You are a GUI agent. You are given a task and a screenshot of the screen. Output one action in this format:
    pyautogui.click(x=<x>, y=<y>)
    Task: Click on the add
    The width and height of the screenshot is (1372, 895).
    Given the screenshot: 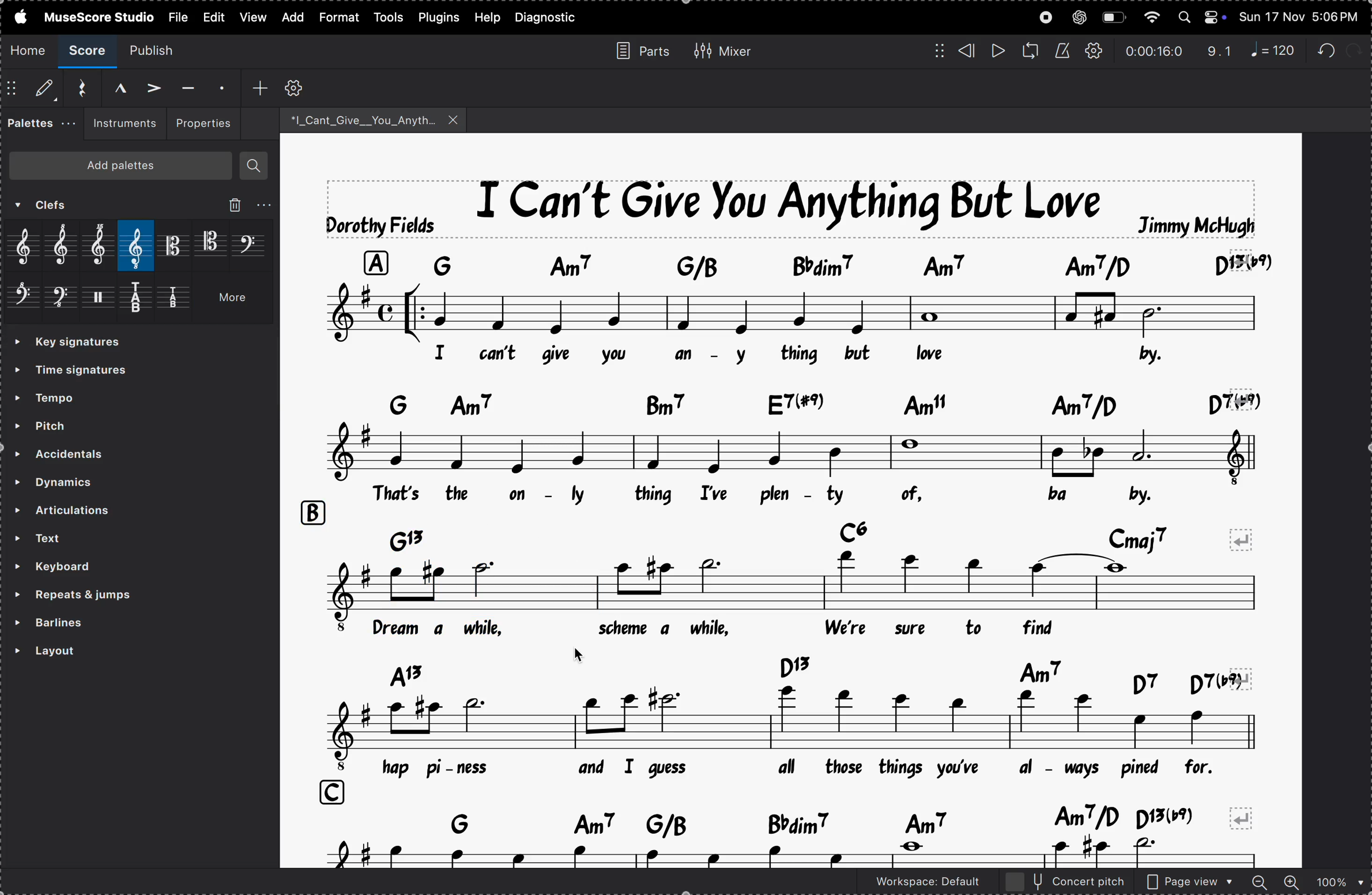 What is the action you would take?
    pyautogui.click(x=260, y=87)
    